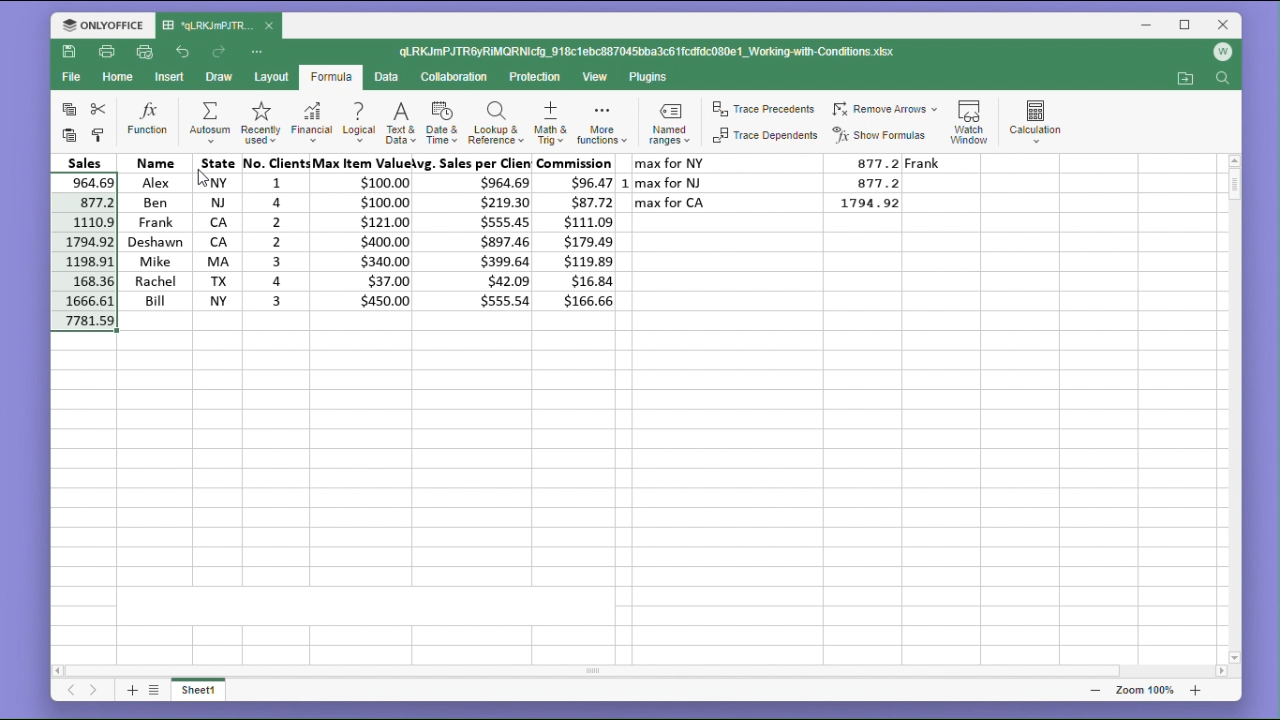 The width and height of the screenshot is (1280, 720). Describe the element at coordinates (763, 139) in the screenshot. I see `trace dependents` at that location.